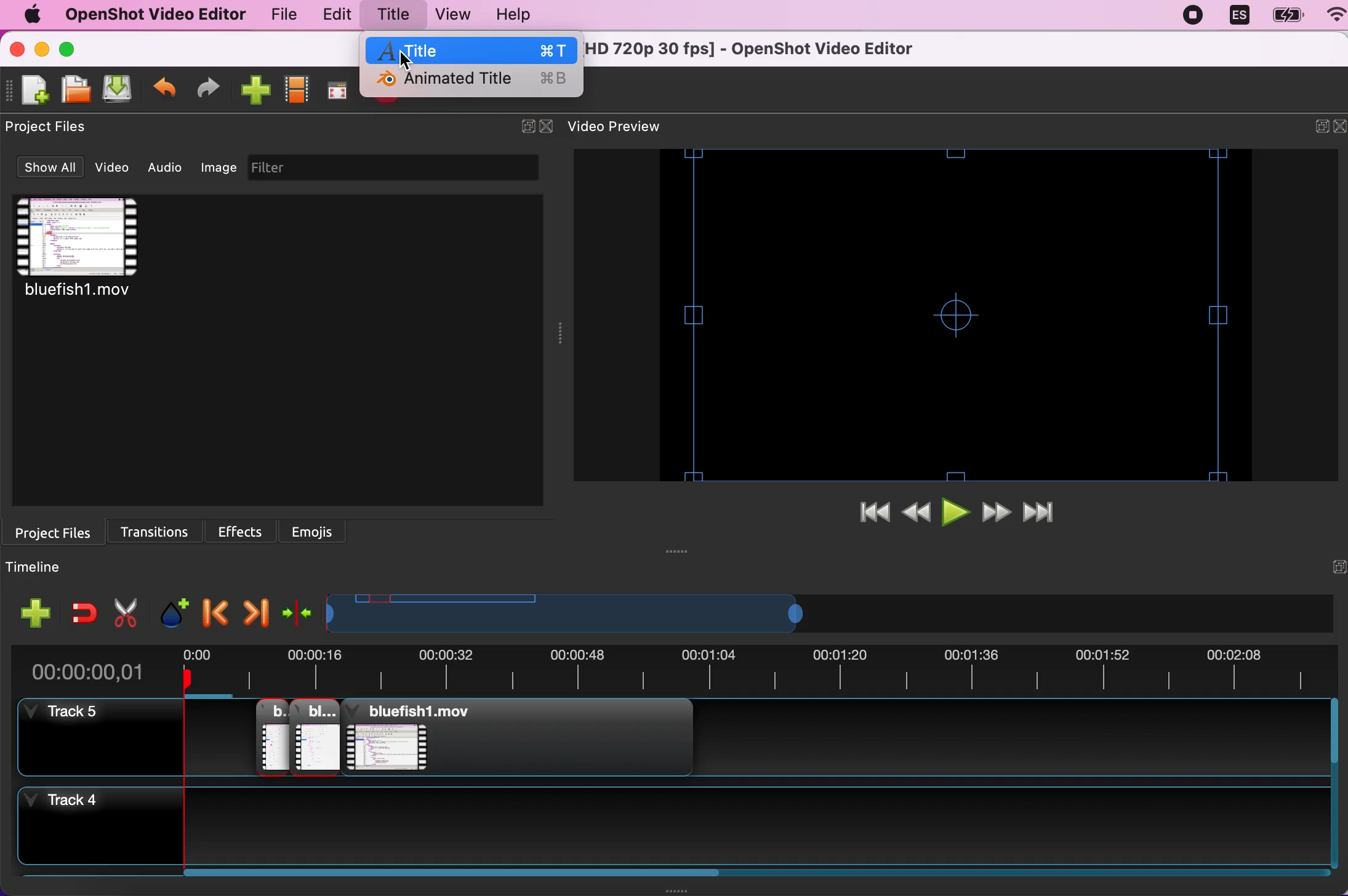 This screenshot has width=1348, height=896. I want to click on import file, so click(253, 91).